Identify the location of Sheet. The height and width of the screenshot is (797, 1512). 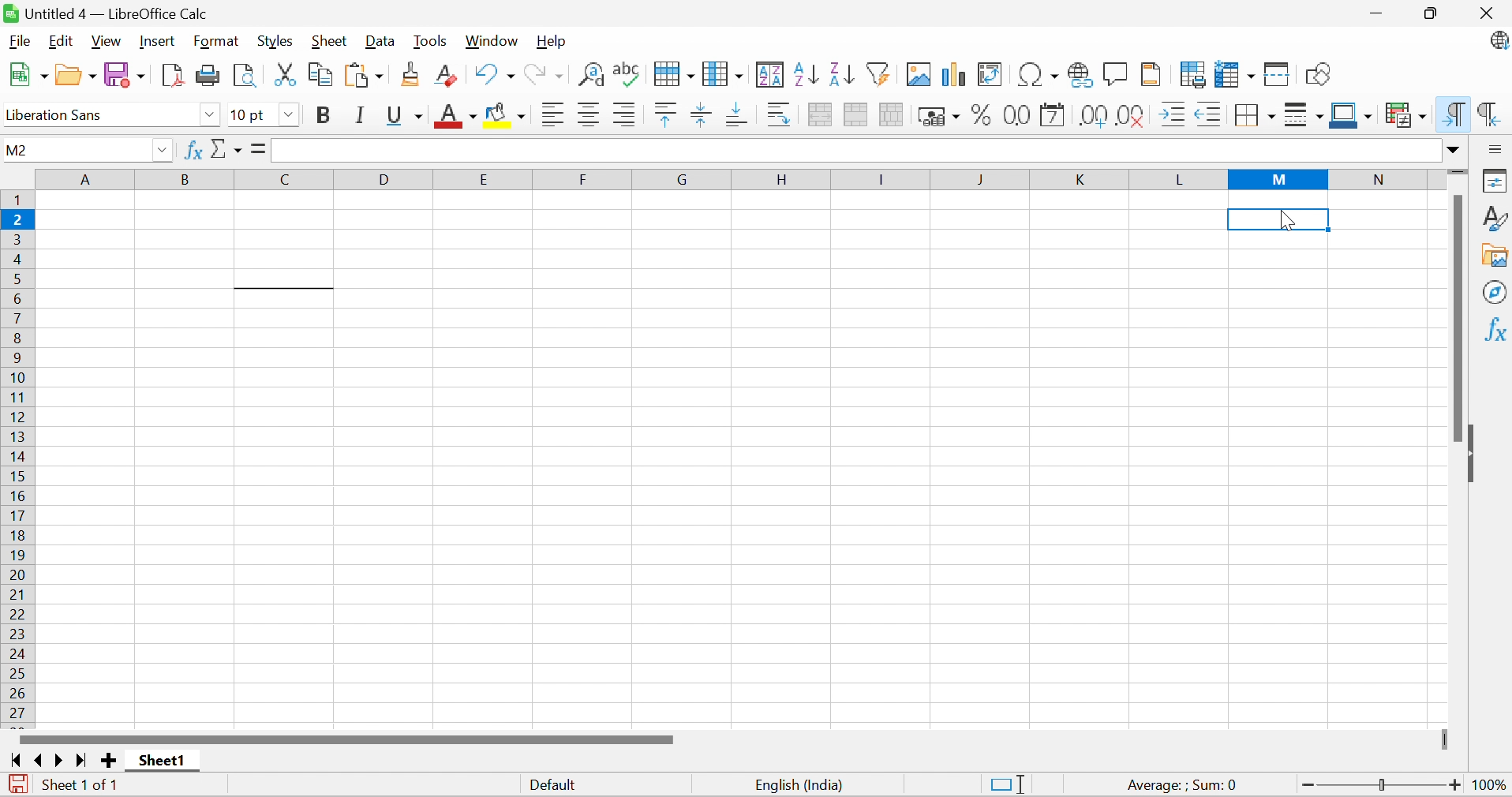
(330, 41).